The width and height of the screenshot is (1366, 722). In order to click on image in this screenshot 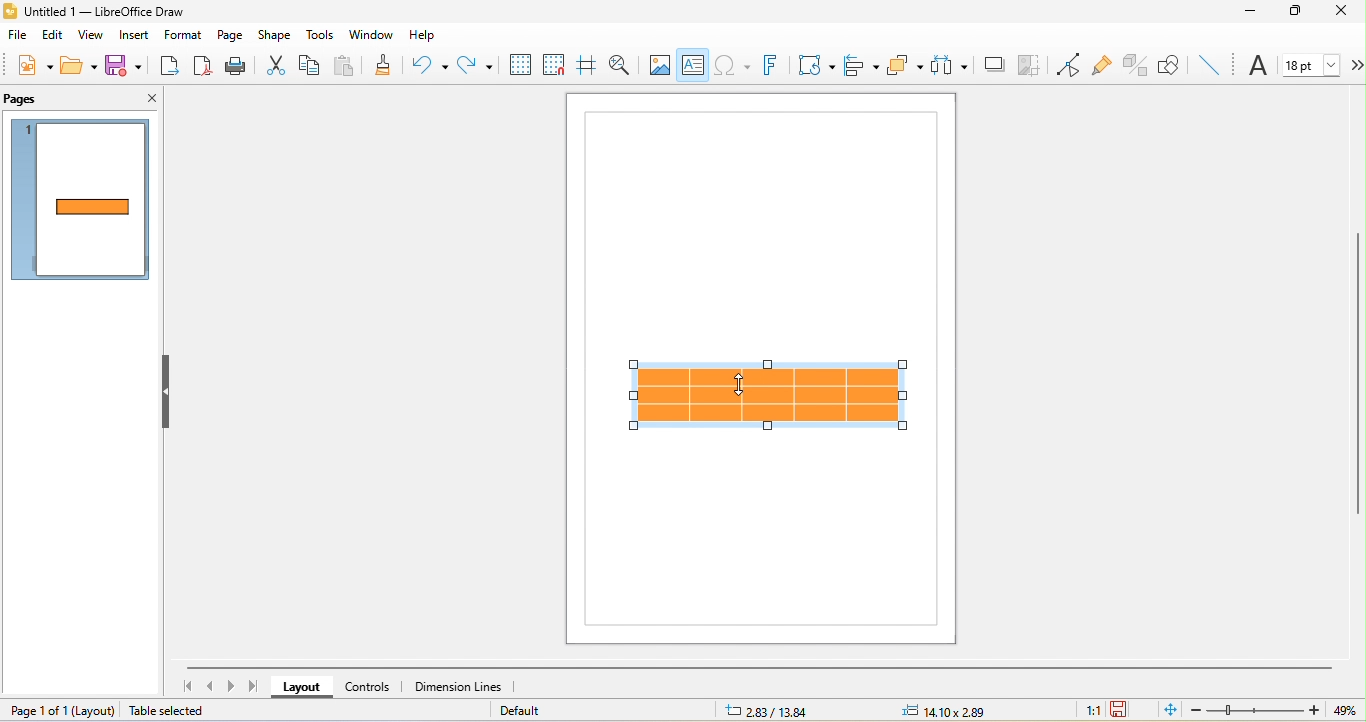, I will do `click(659, 65)`.